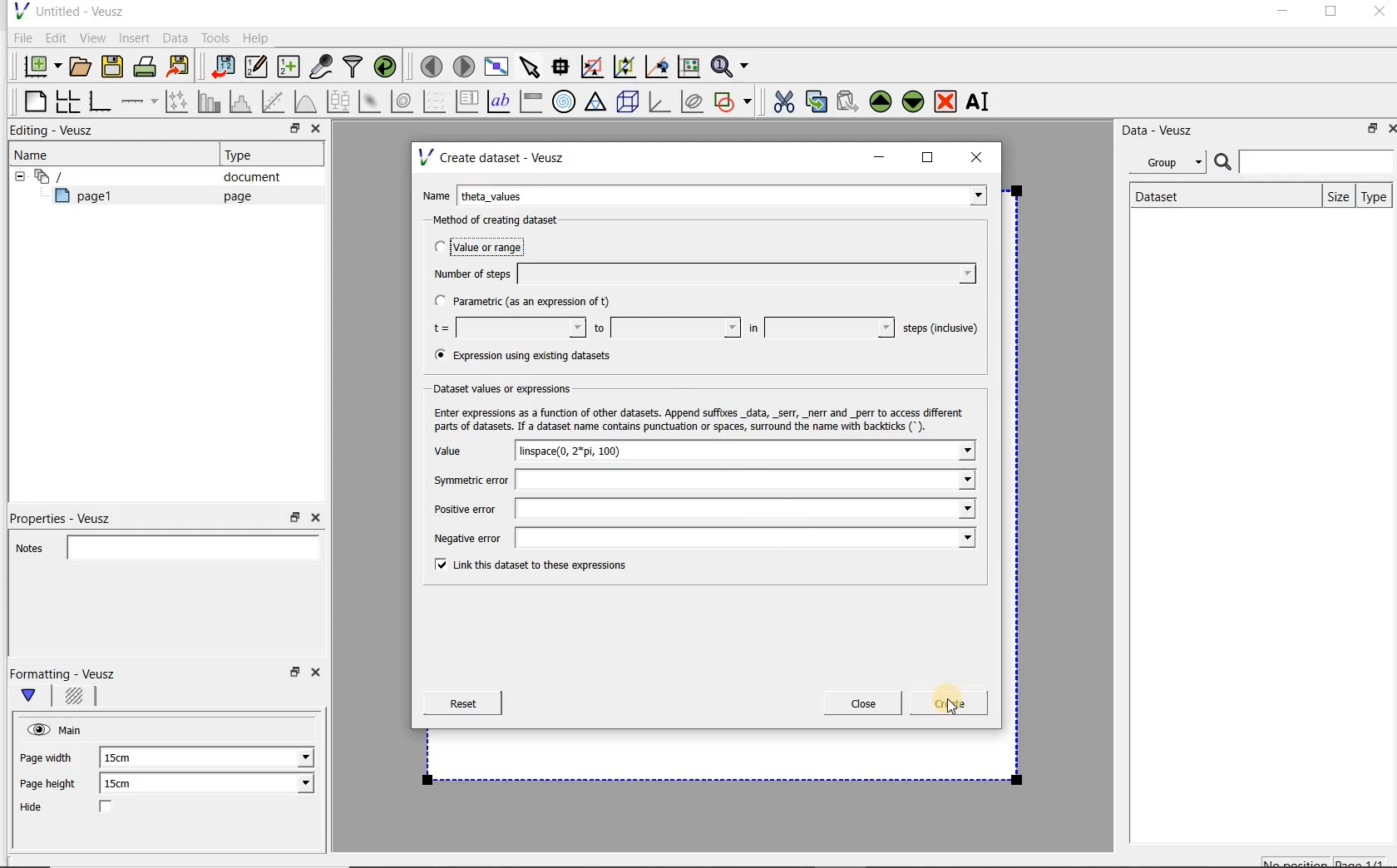 The image size is (1397, 868). What do you see at coordinates (162, 545) in the screenshot?
I see `Notes` at bounding box center [162, 545].